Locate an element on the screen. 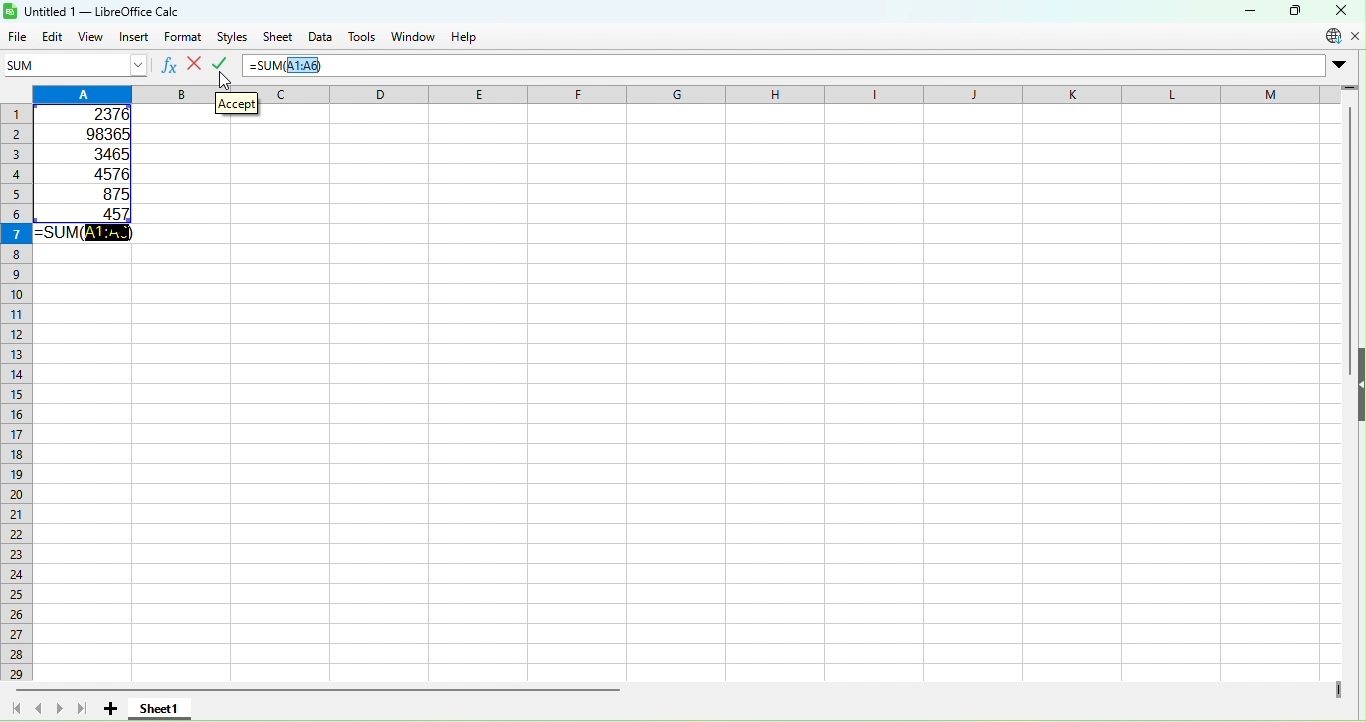 The image size is (1366, 722). Scroll to next sheet is located at coordinates (61, 709).